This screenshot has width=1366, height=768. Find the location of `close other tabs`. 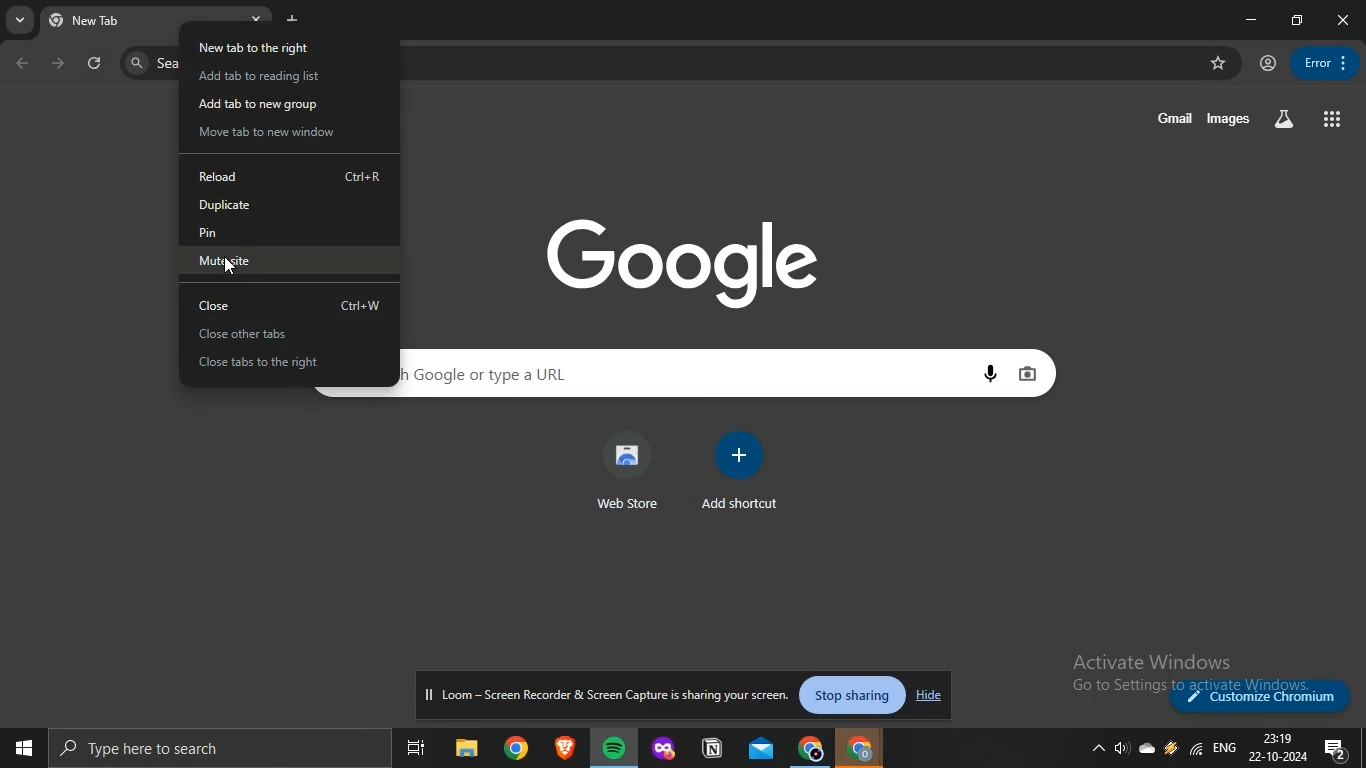

close other tabs is located at coordinates (285, 336).